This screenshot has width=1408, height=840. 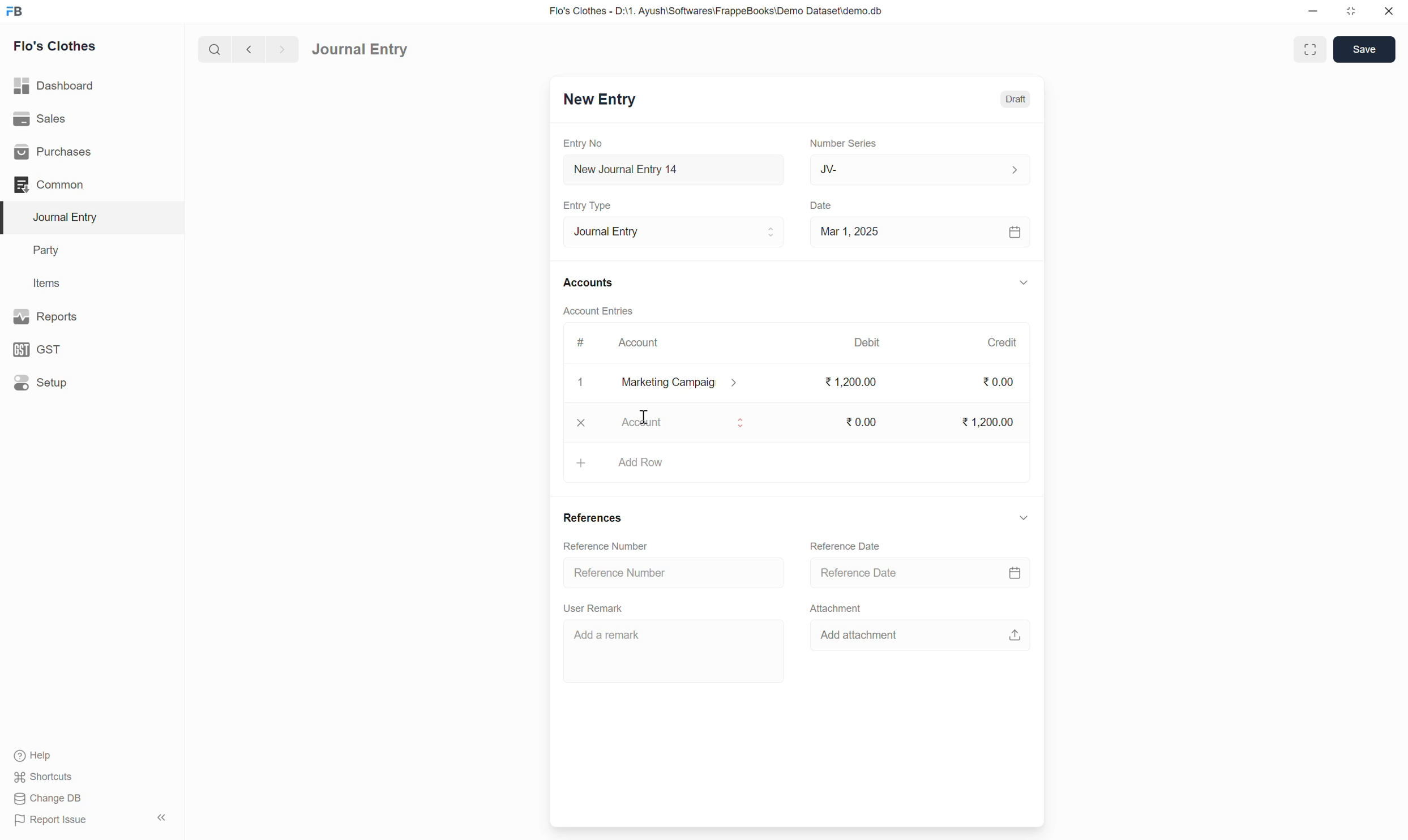 What do you see at coordinates (55, 821) in the screenshot?
I see `Report Issue` at bounding box center [55, 821].